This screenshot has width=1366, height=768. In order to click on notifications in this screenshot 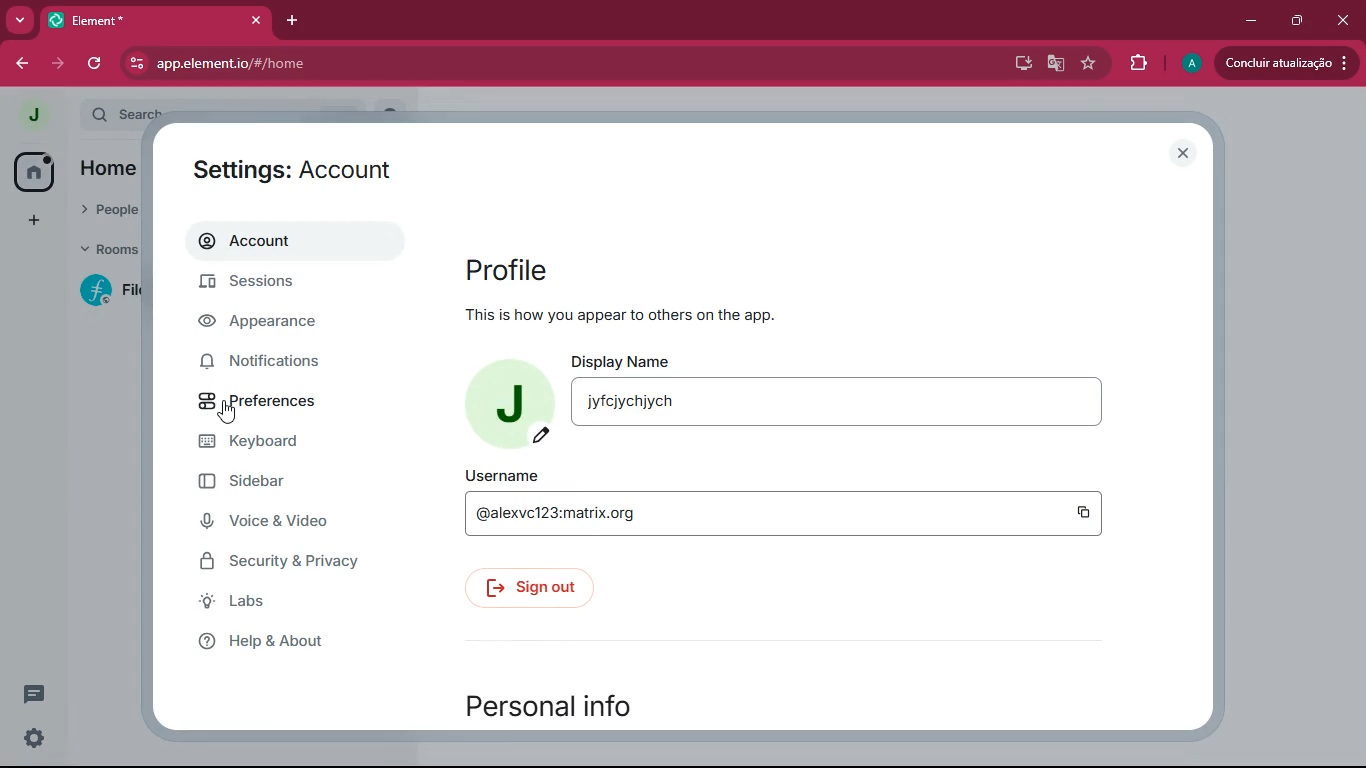, I will do `click(283, 364)`.